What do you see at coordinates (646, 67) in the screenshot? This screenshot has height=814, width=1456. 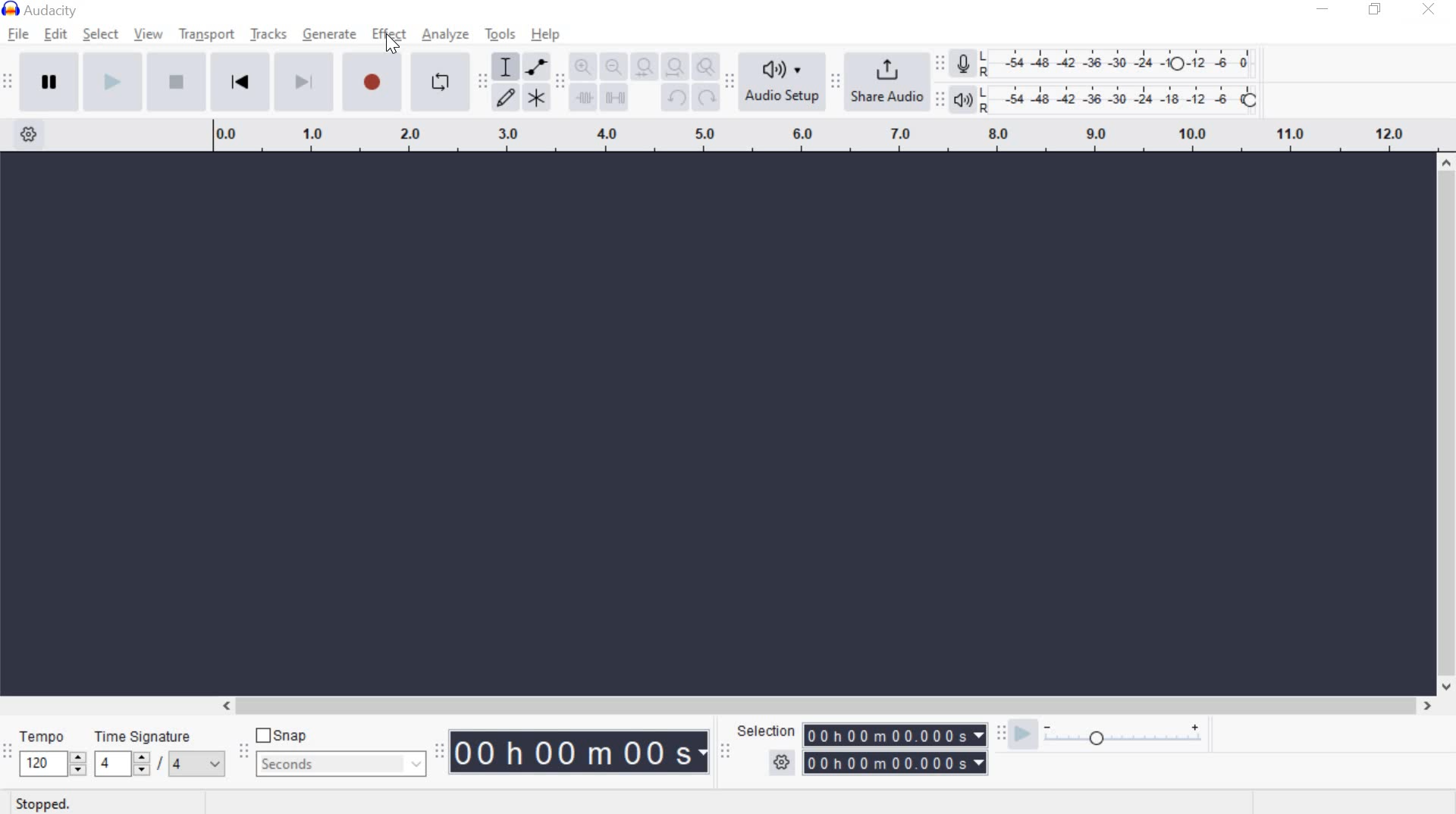 I see `Fit selection to width` at bounding box center [646, 67].